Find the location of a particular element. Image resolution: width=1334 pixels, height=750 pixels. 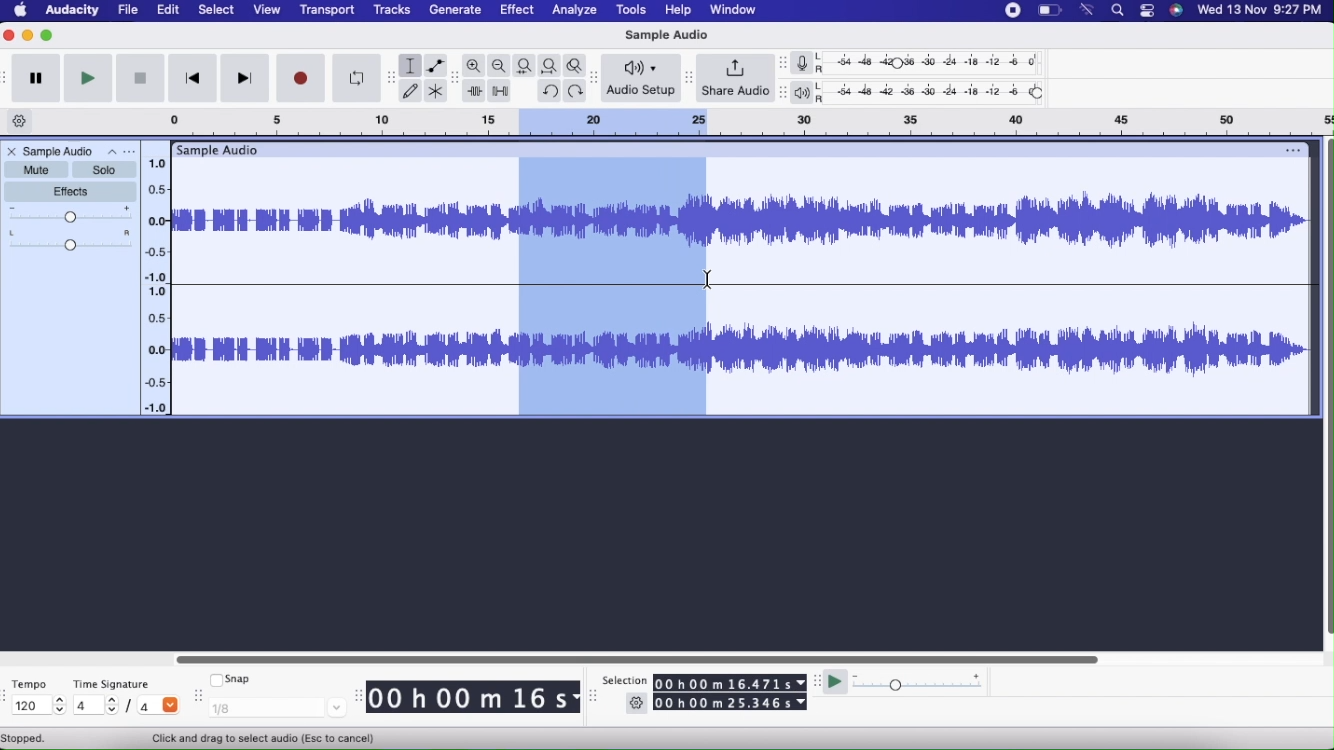

Playback level is located at coordinates (936, 93).